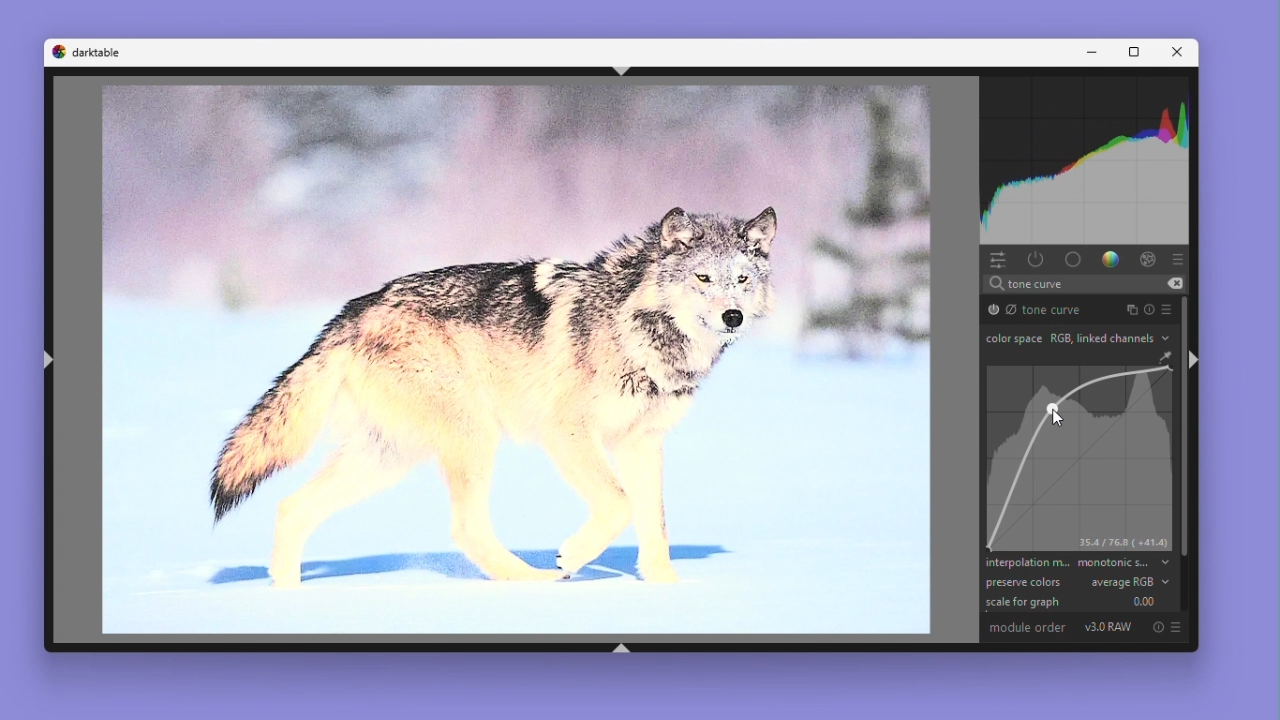 This screenshot has width=1280, height=720. What do you see at coordinates (1179, 53) in the screenshot?
I see `Close` at bounding box center [1179, 53].